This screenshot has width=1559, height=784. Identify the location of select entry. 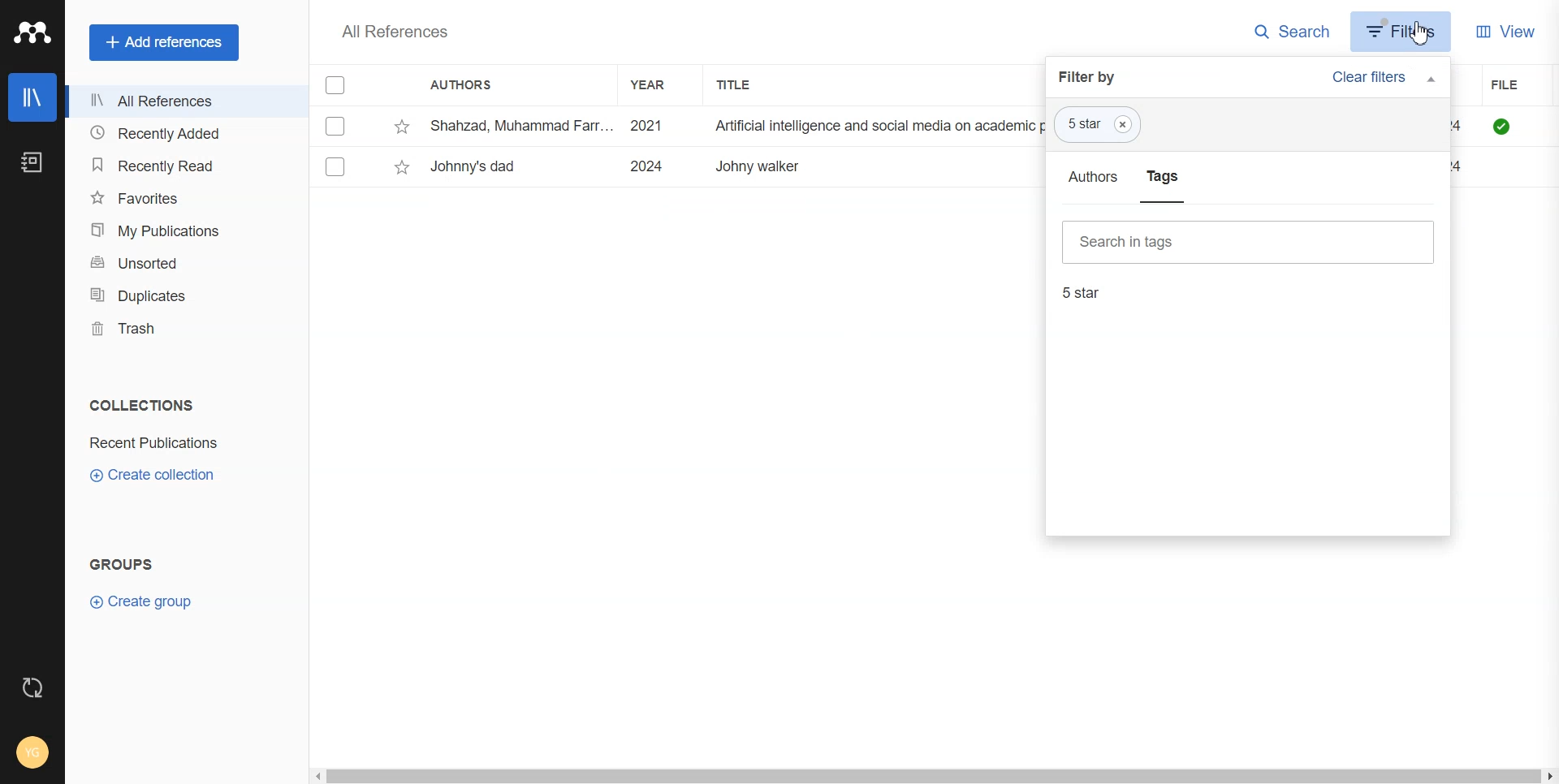
(335, 166).